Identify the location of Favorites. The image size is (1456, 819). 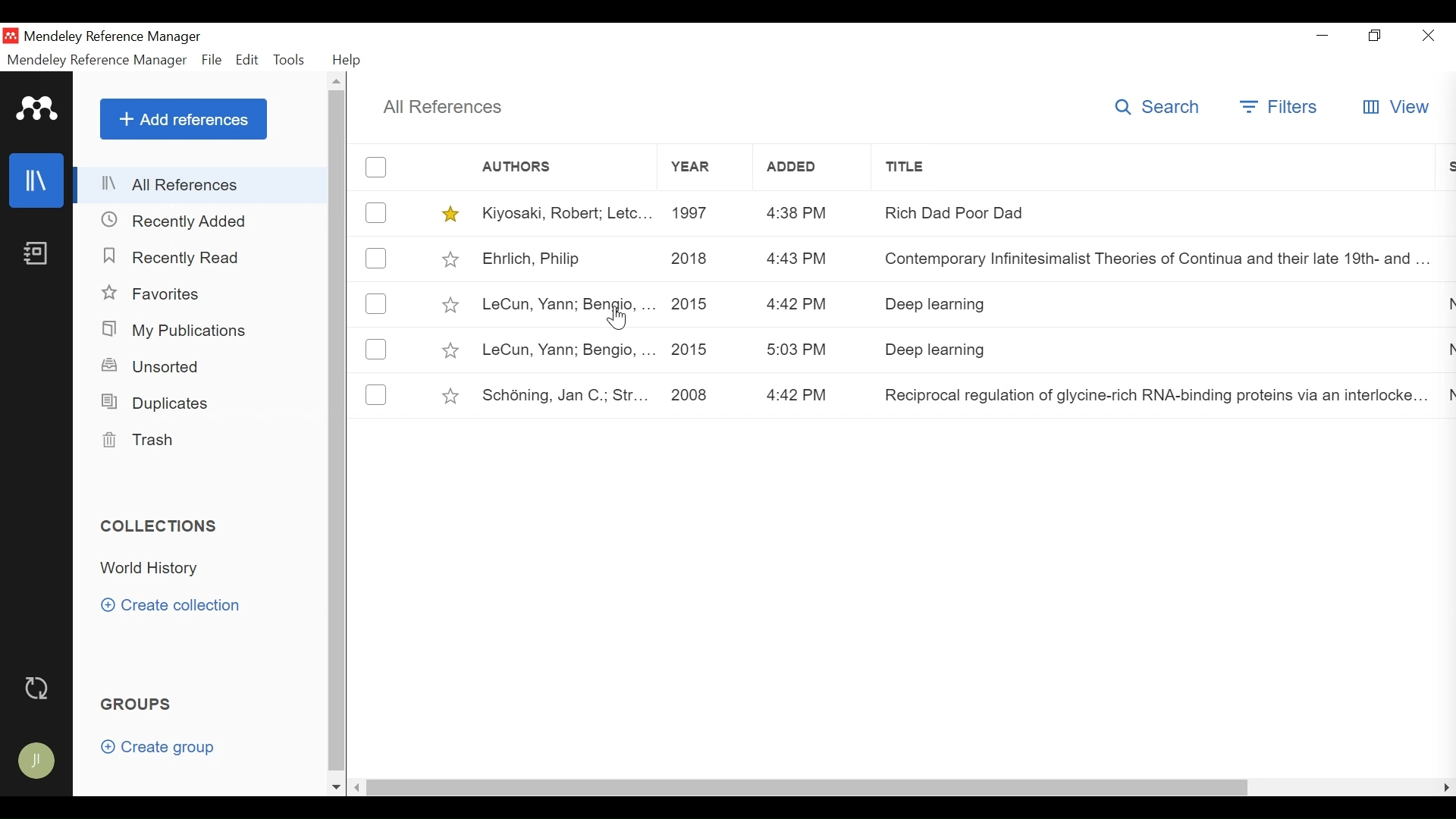
(162, 295).